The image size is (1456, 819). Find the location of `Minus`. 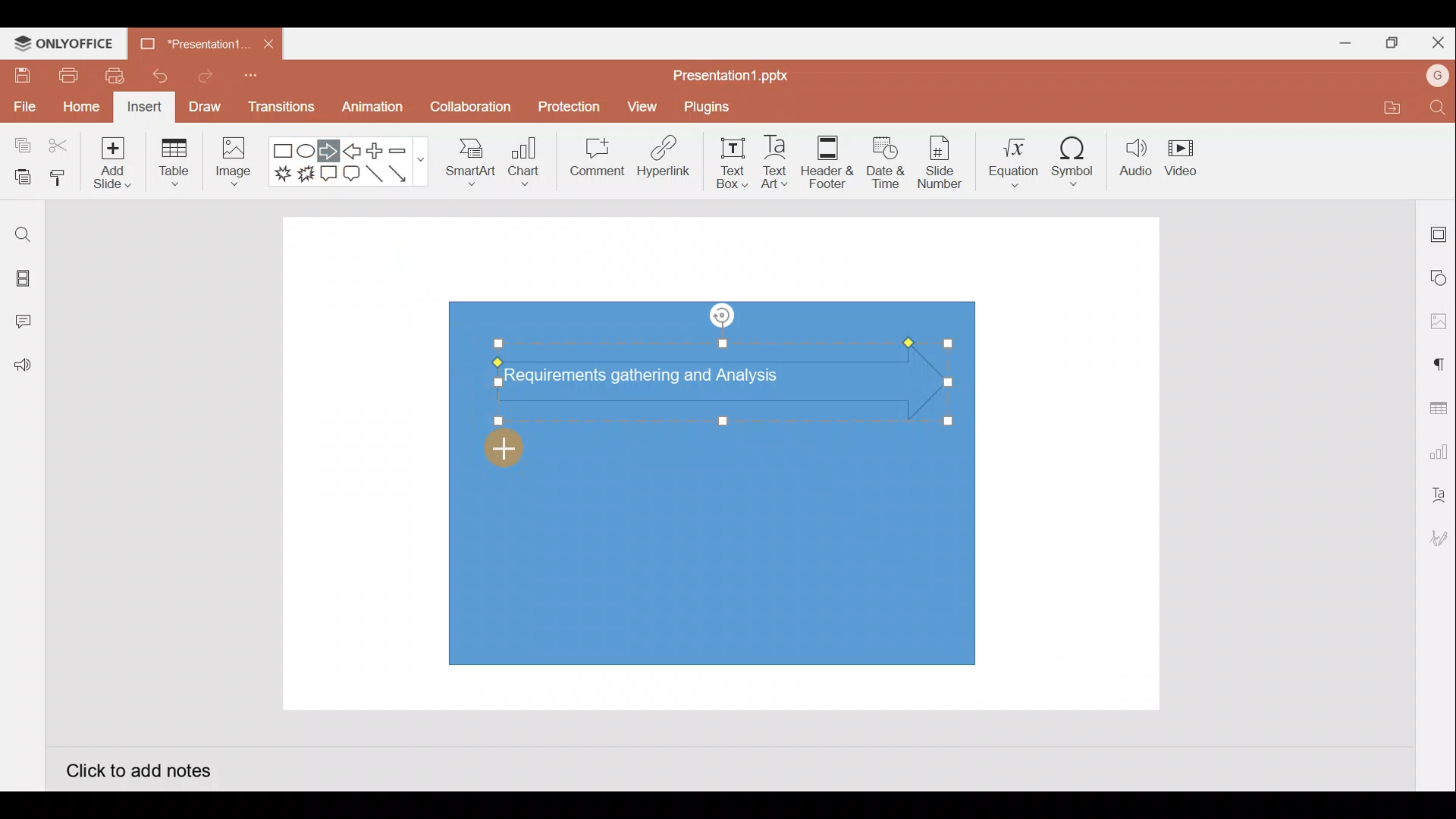

Minus is located at coordinates (406, 149).